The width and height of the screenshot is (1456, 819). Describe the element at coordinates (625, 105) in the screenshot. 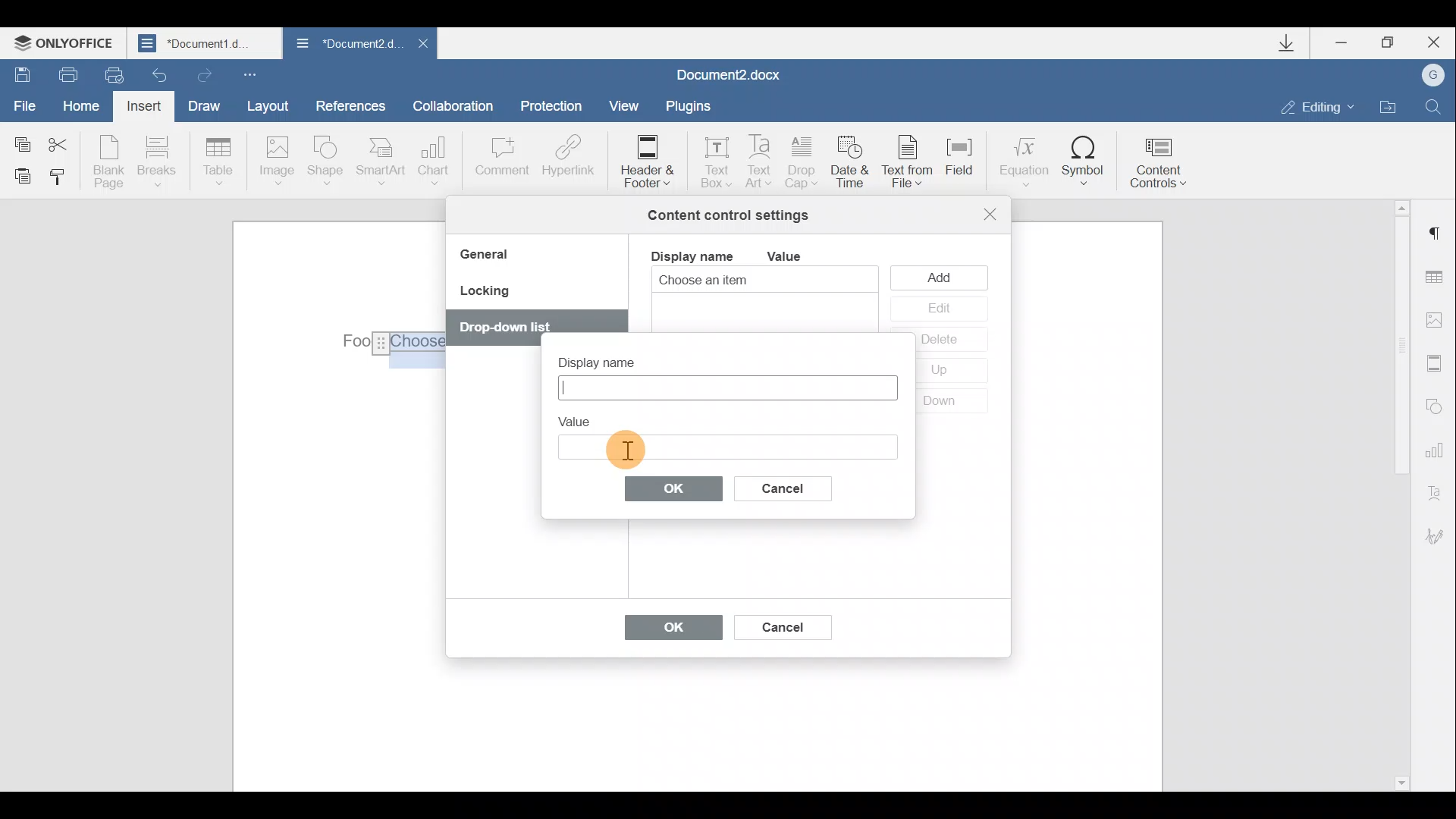

I see `View` at that location.